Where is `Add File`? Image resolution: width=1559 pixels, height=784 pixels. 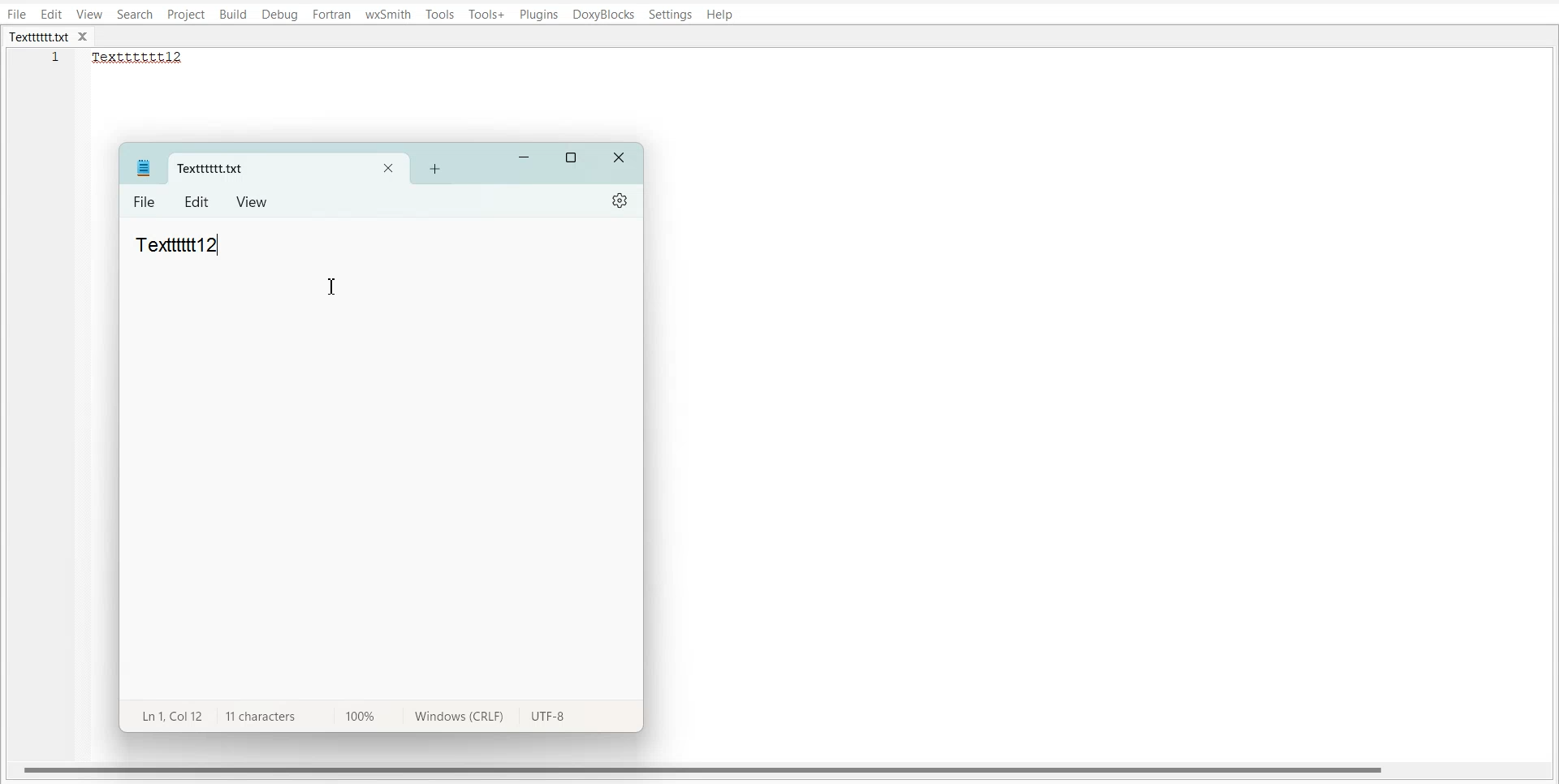 Add File is located at coordinates (434, 168).